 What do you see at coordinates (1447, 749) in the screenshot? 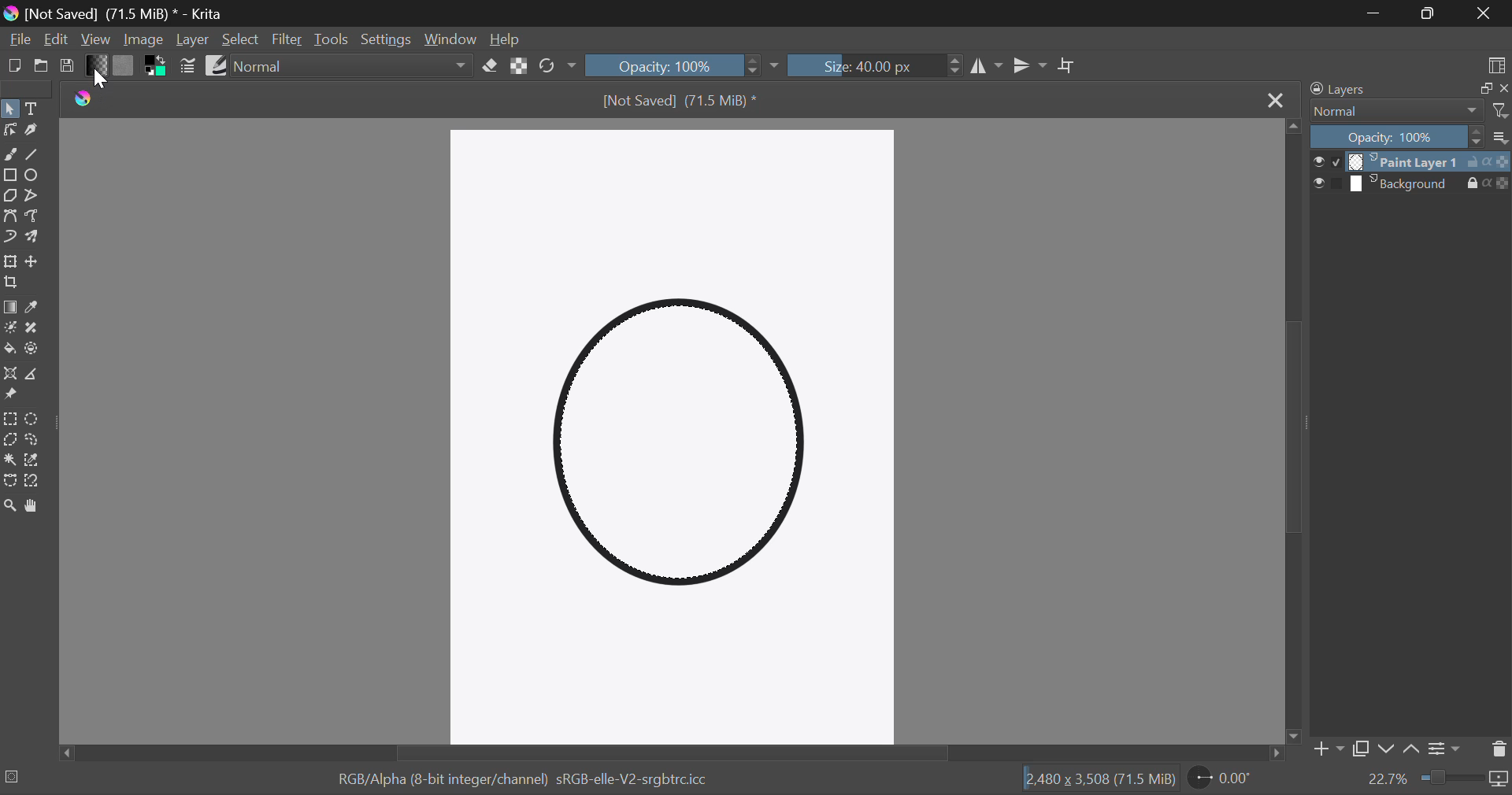
I see `Settings` at bounding box center [1447, 749].